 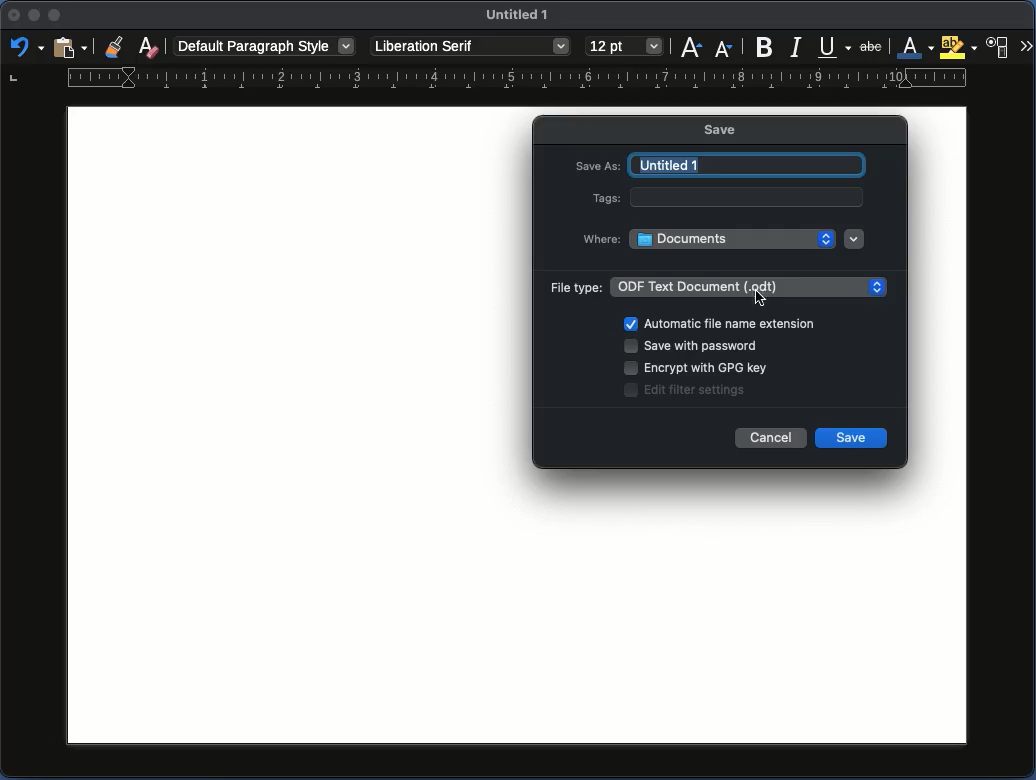 What do you see at coordinates (686, 391) in the screenshot?
I see `Edit filter settings` at bounding box center [686, 391].